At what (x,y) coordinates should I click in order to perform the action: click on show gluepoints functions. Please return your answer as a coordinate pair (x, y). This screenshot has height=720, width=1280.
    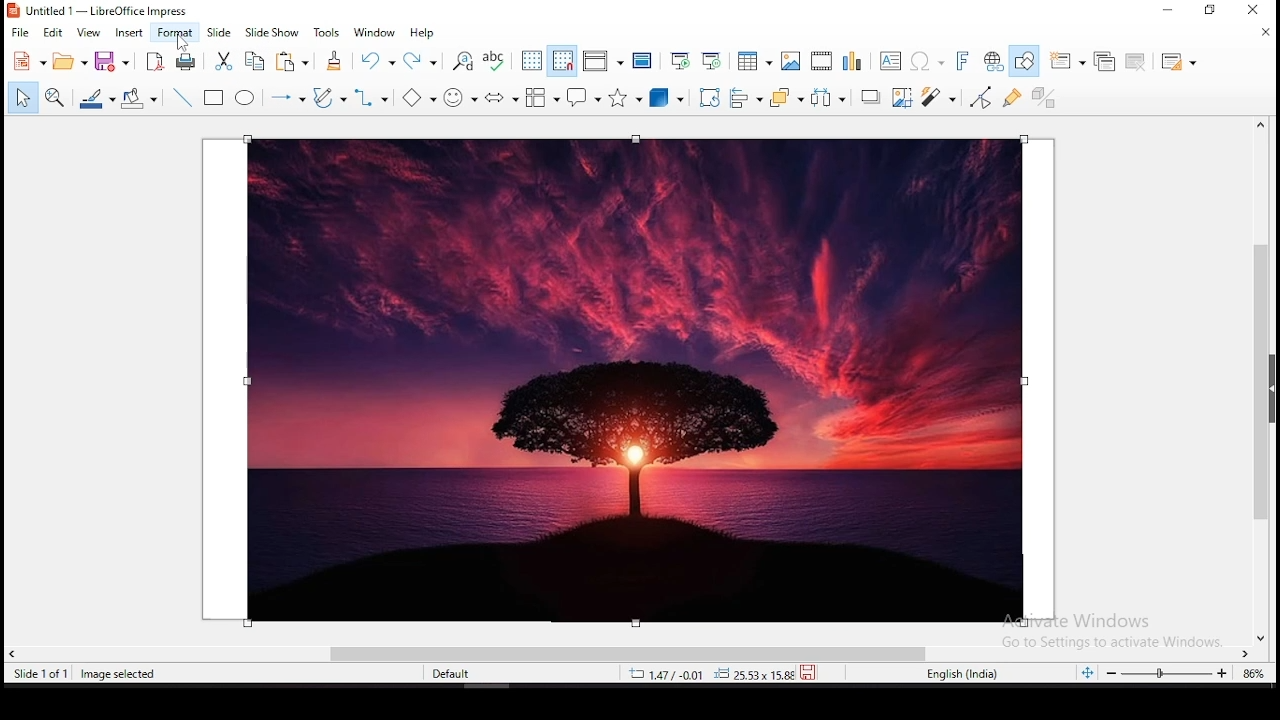
    Looking at the image, I should click on (1010, 98).